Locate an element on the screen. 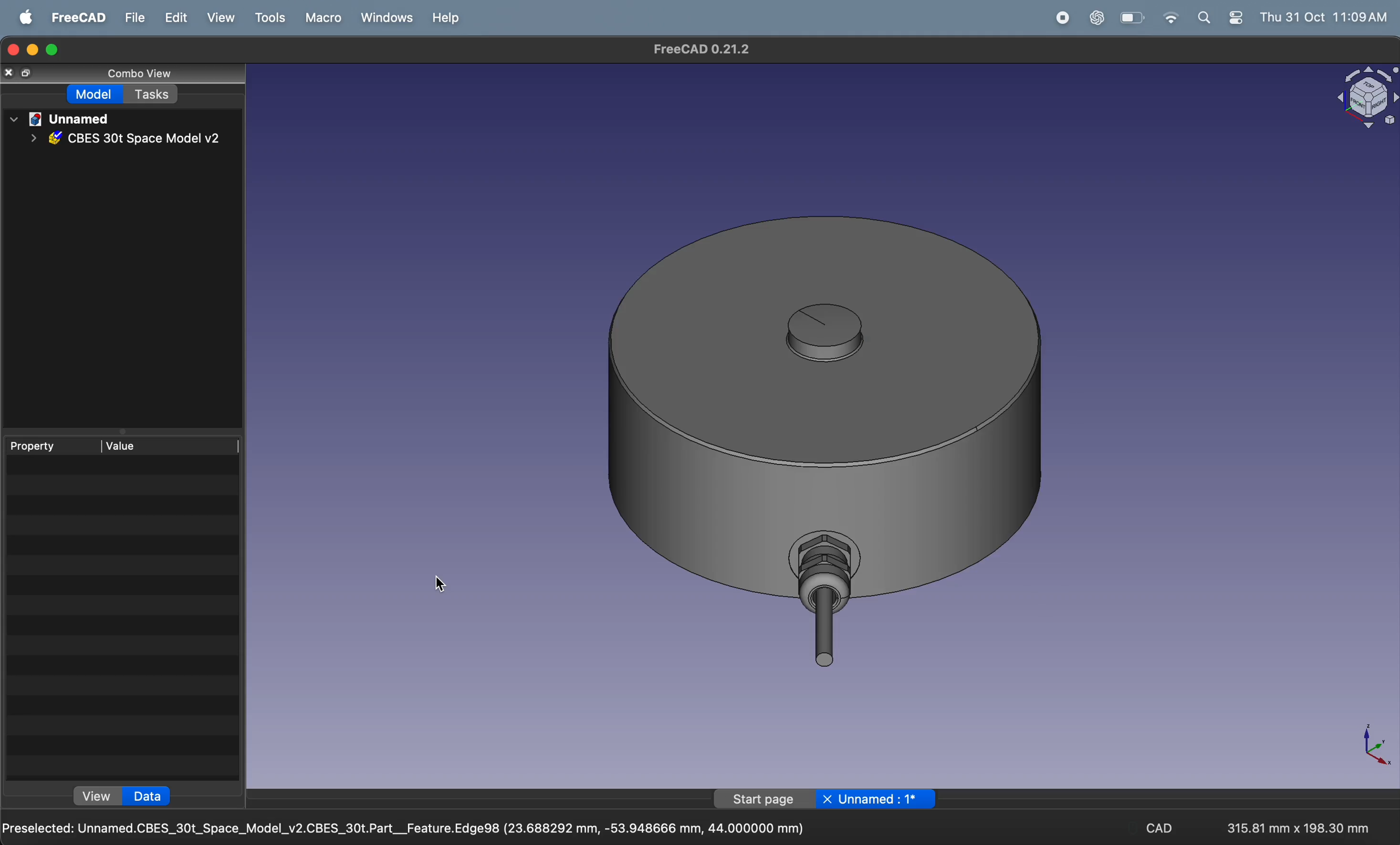 The height and width of the screenshot is (845, 1400). unnamed is located at coordinates (68, 118).